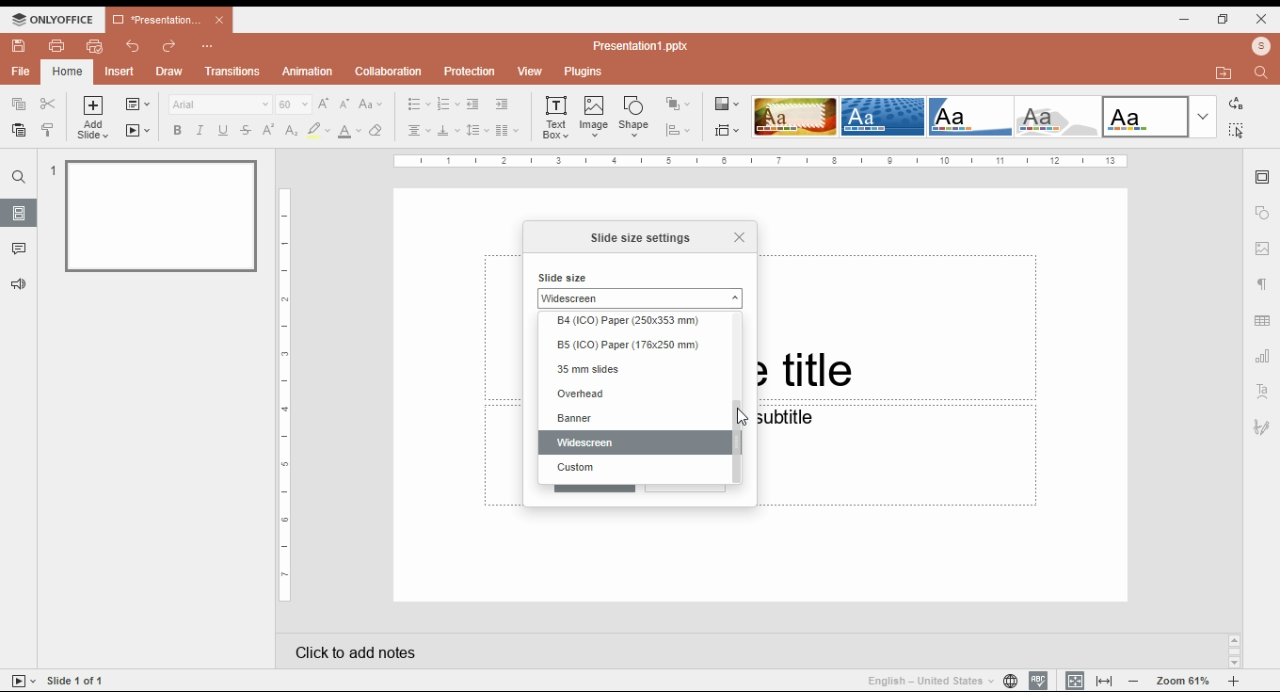 This screenshot has height=692, width=1280. I want to click on restore, so click(1223, 19).